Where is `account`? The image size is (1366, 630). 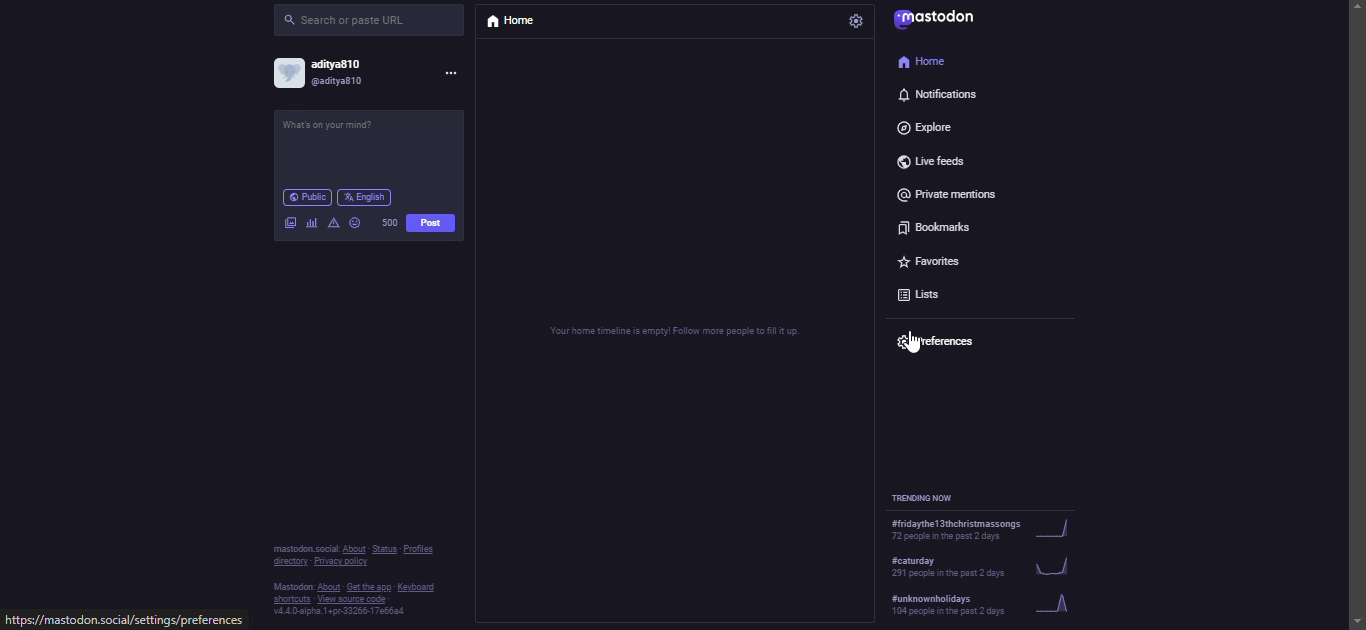
account is located at coordinates (331, 71).